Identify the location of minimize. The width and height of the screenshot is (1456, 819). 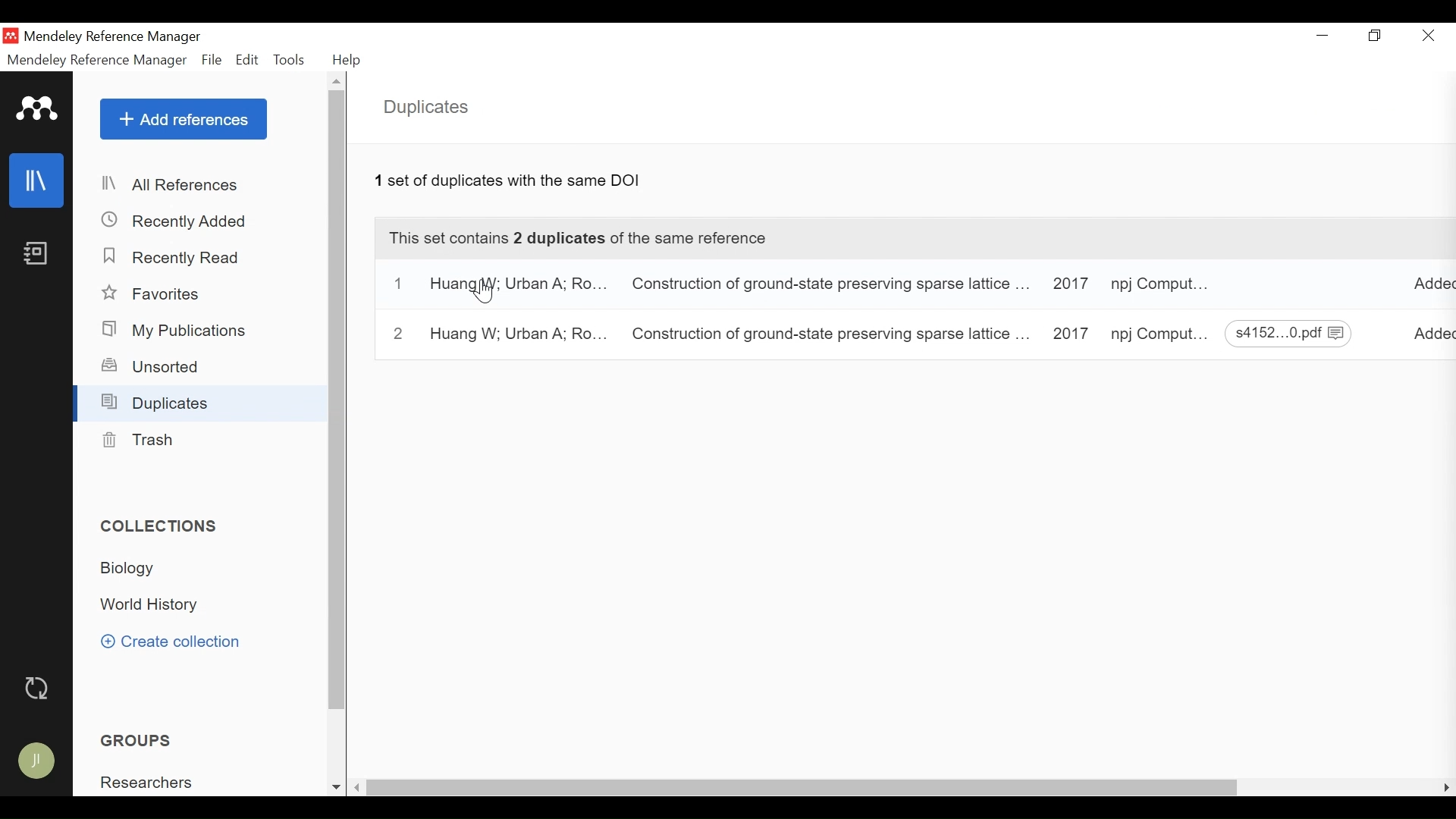
(1323, 36).